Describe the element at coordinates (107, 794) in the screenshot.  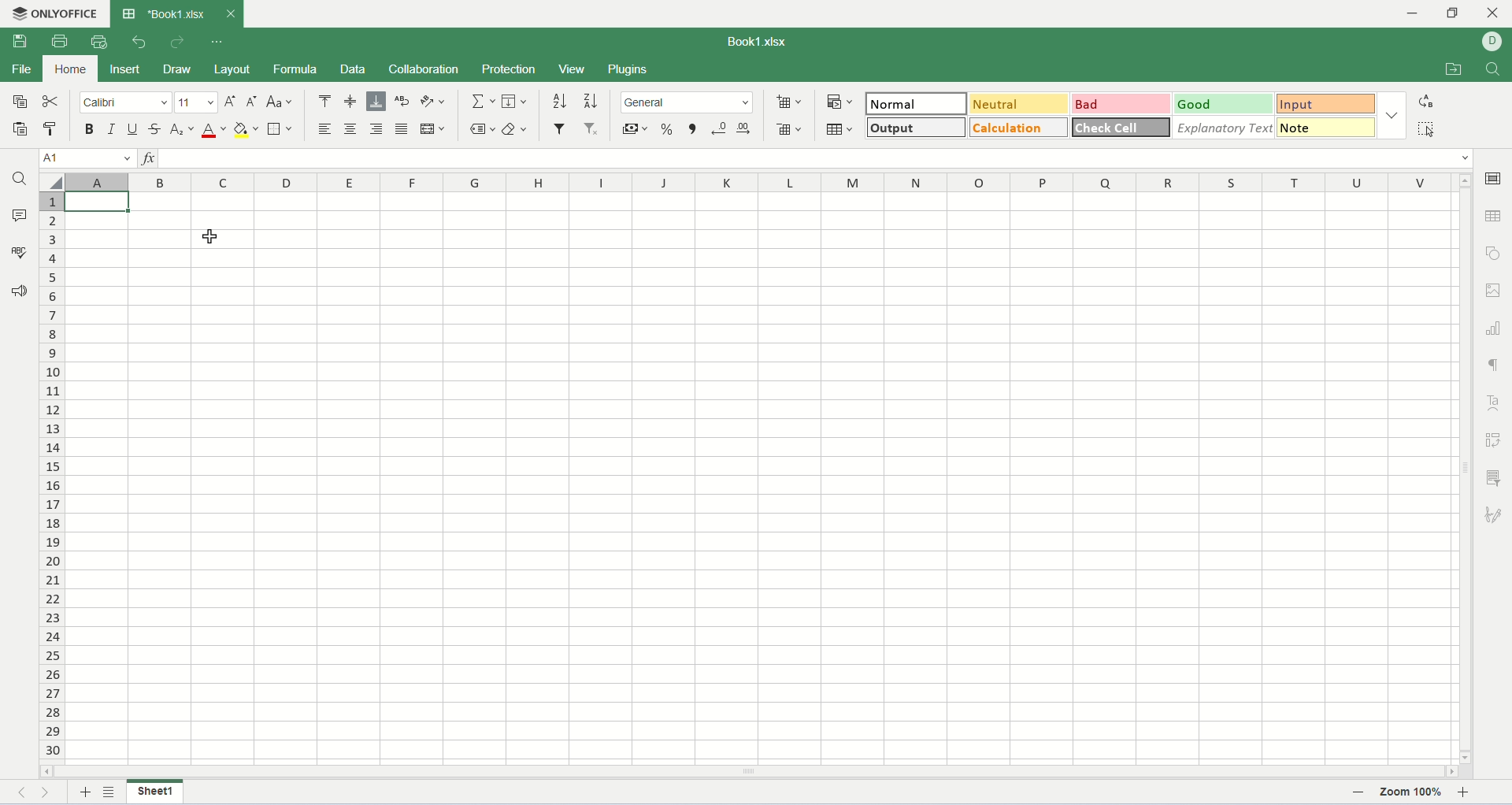
I see `list sheets` at that location.